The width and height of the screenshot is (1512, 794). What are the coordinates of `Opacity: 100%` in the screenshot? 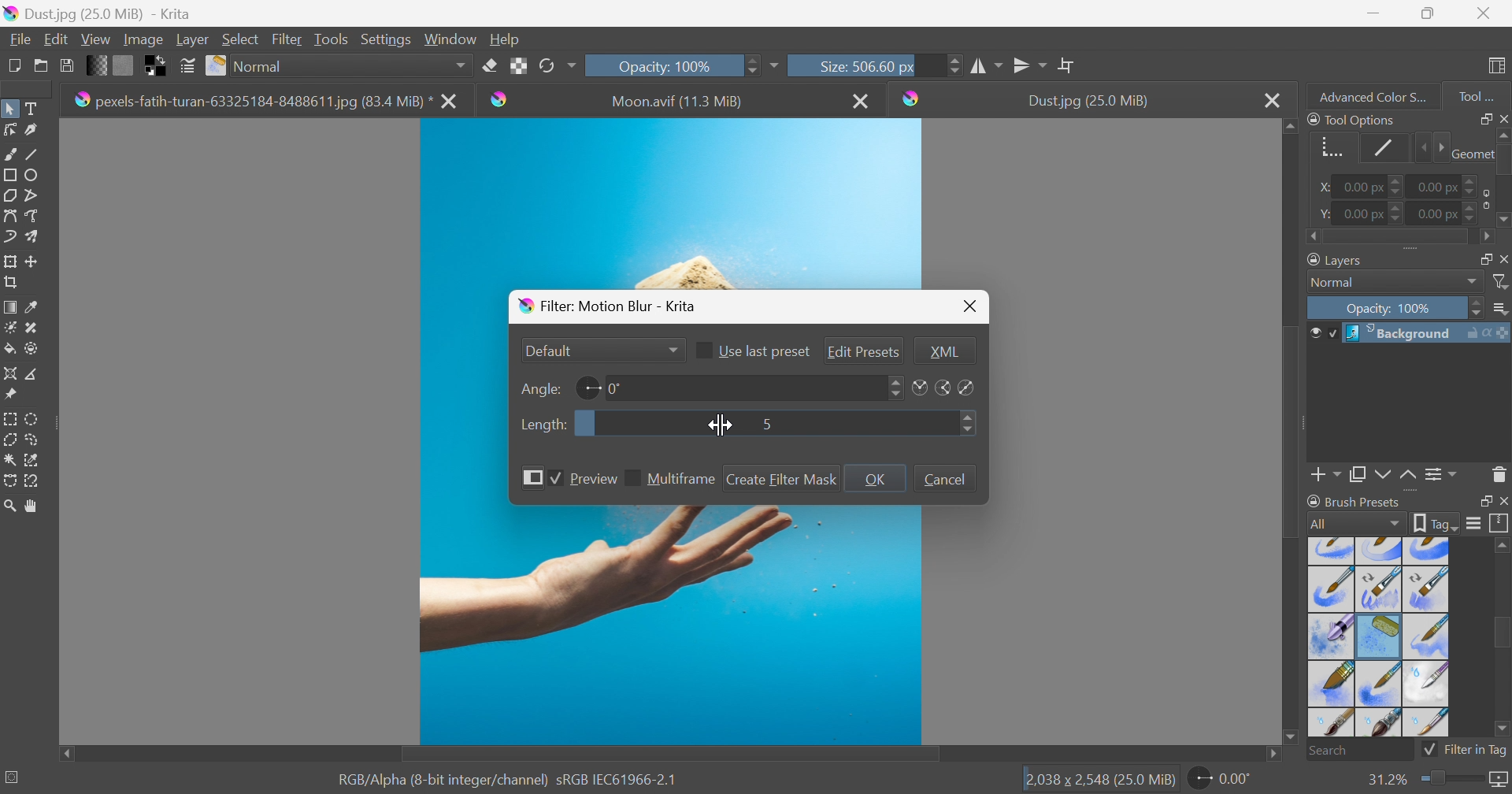 It's located at (662, 65).